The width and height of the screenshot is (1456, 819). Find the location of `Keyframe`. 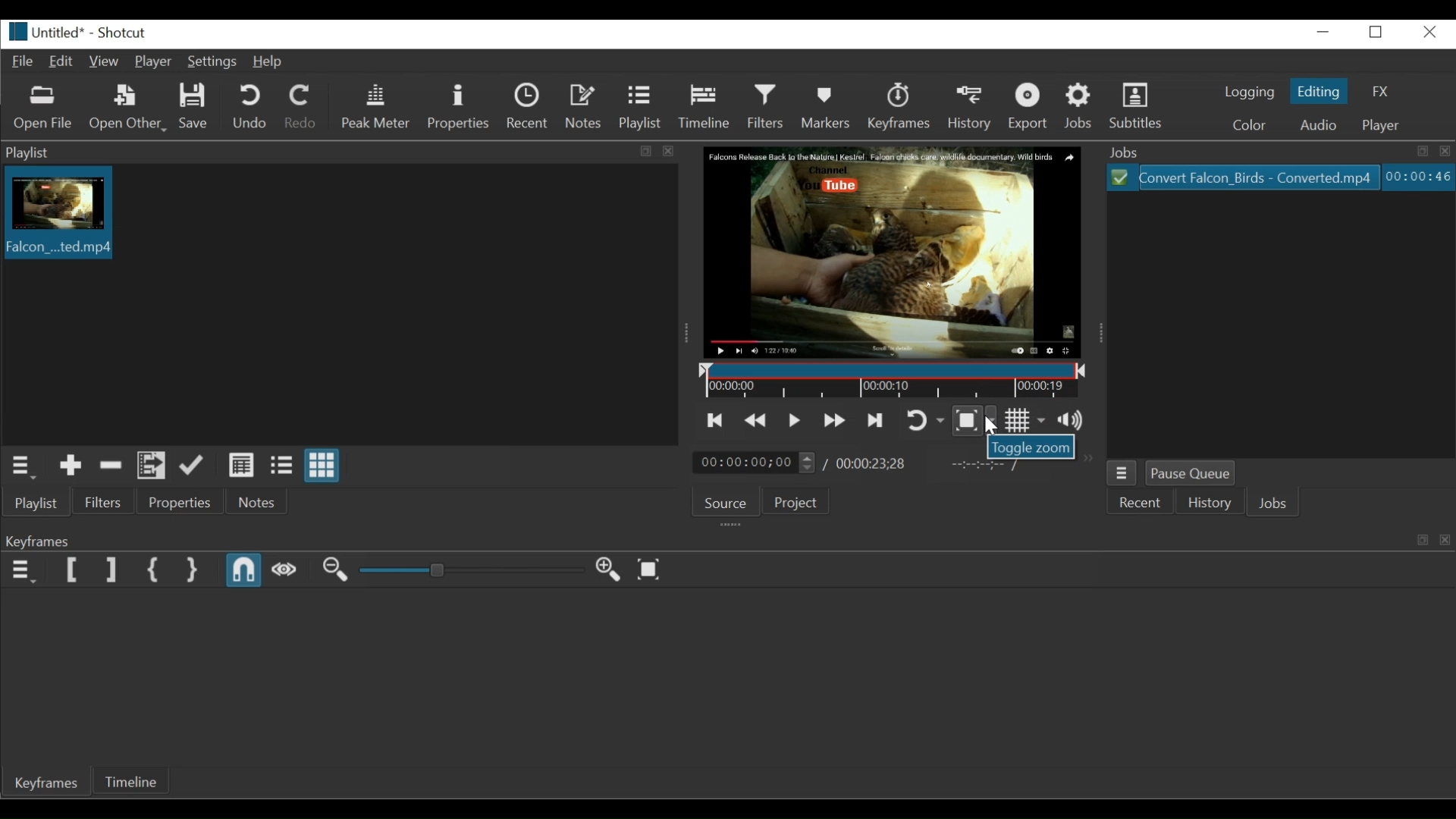

Keyframe is located at coordinates (899, 106).